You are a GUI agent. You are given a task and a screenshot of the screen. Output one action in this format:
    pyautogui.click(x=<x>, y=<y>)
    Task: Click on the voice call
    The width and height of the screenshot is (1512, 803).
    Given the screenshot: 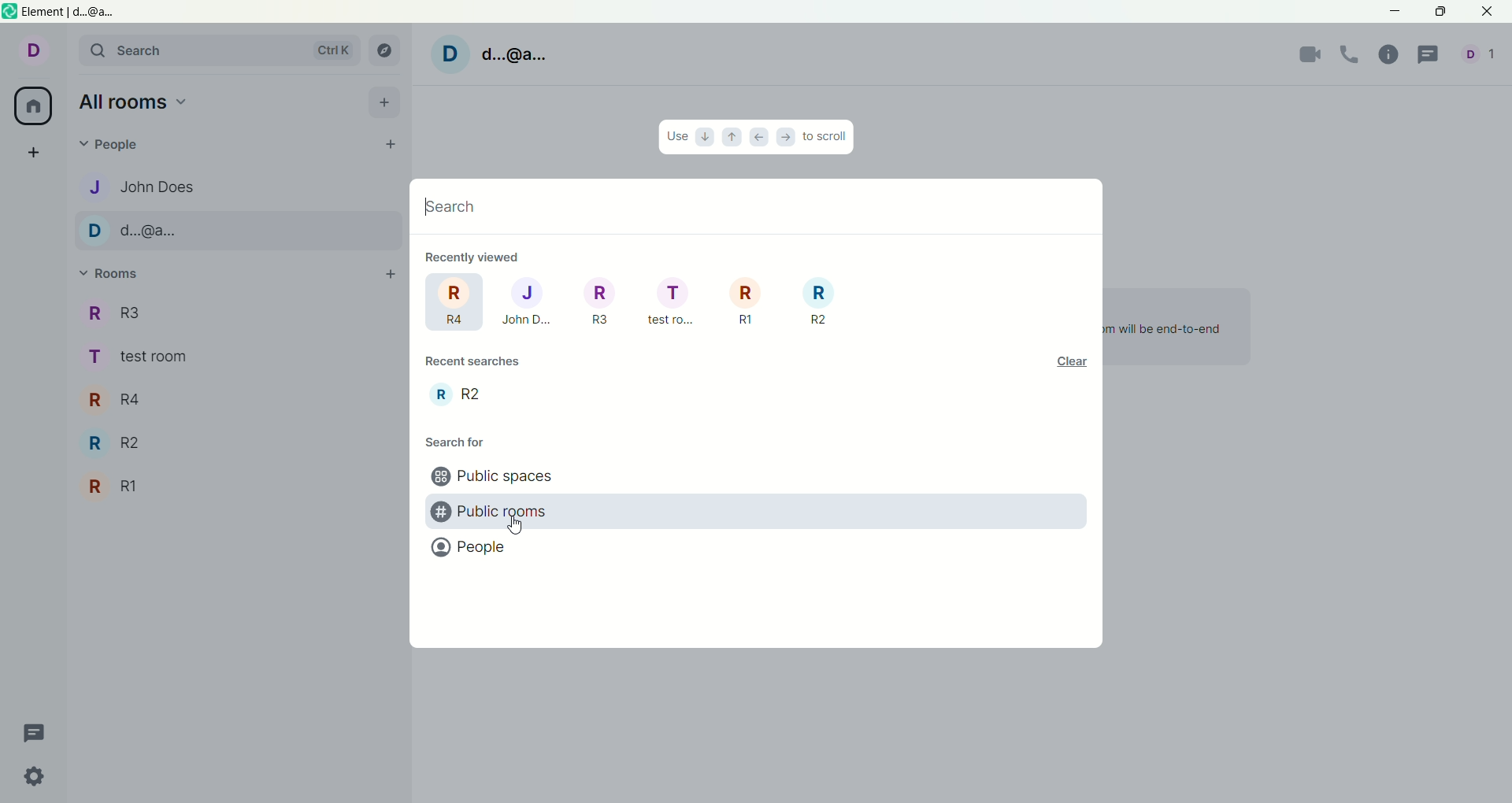 What is the action you would take?
    pyautogui.click(x=1351, y=54)
    